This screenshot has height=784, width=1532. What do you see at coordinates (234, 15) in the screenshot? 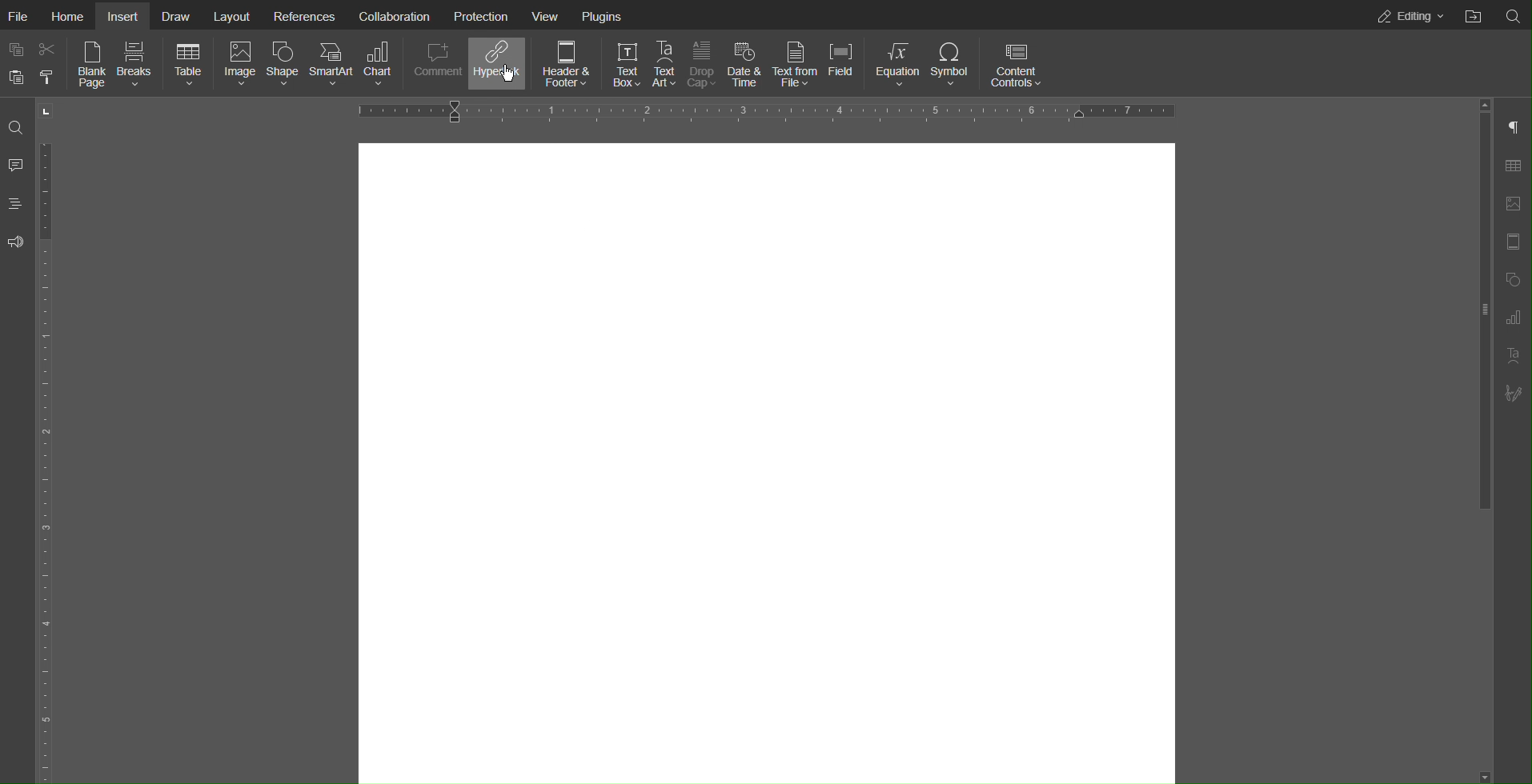
I see `Layout` at bounding box center [234, 15].